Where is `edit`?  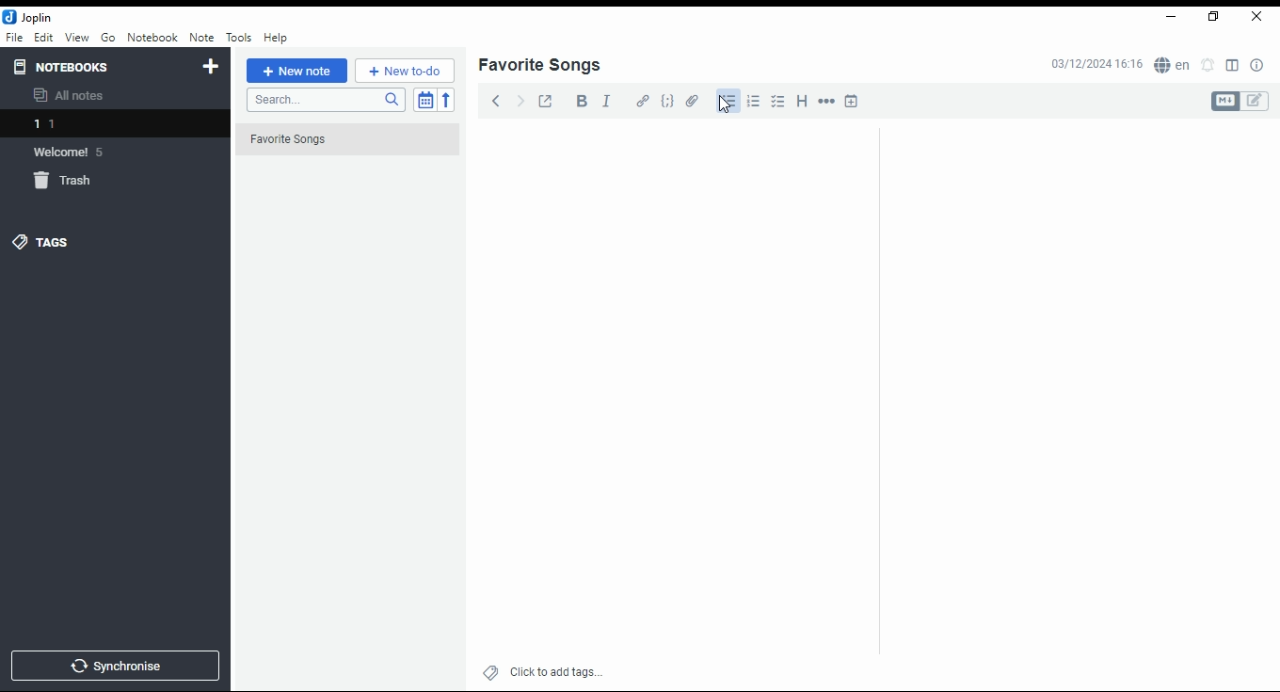 edit is located at coordinates (43, 36).